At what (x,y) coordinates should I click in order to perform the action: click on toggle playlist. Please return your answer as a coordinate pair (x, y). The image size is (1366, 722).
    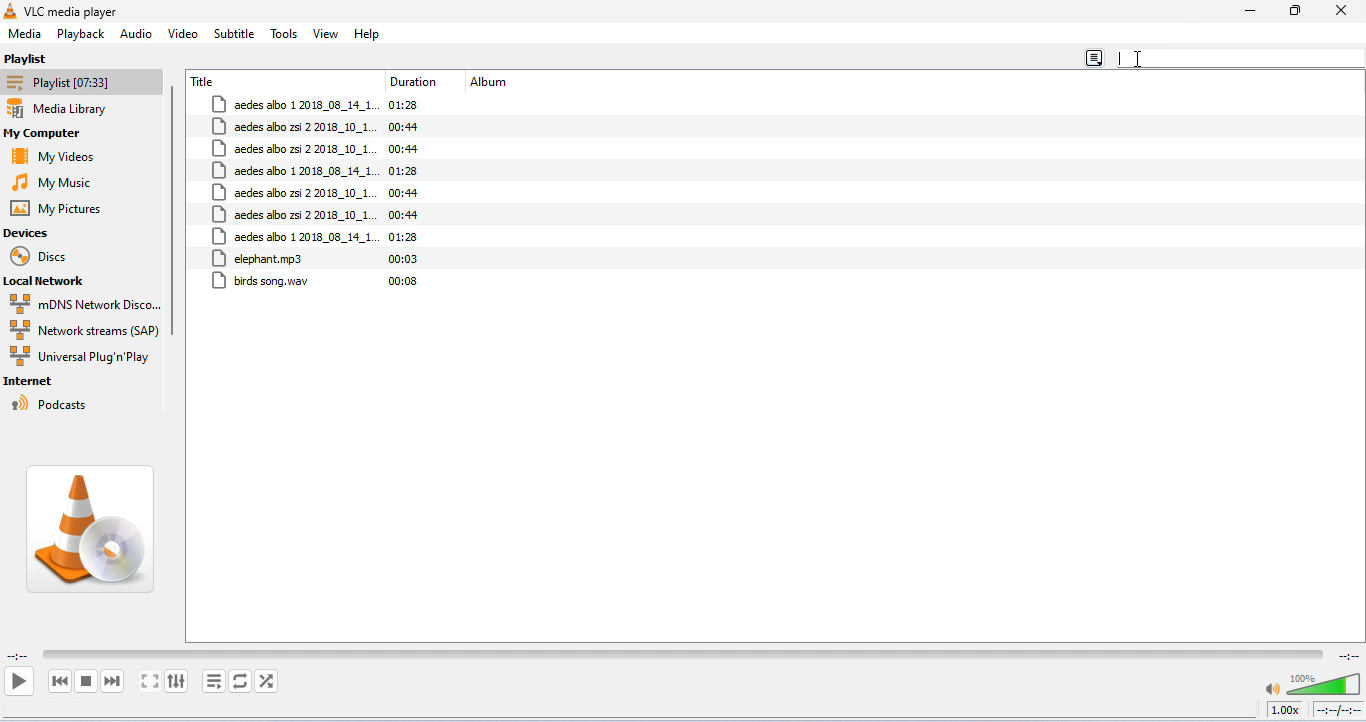
    Looking at the image, I should click on (213, 681).